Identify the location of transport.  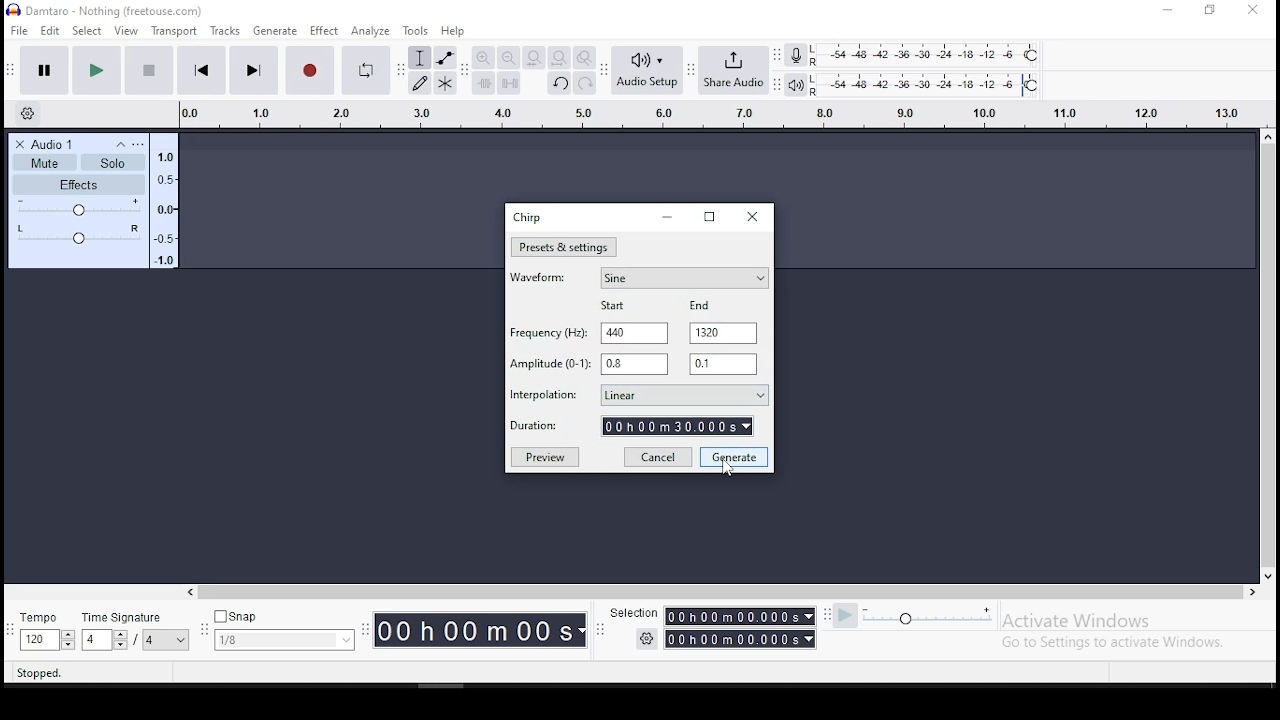
(176, 30).